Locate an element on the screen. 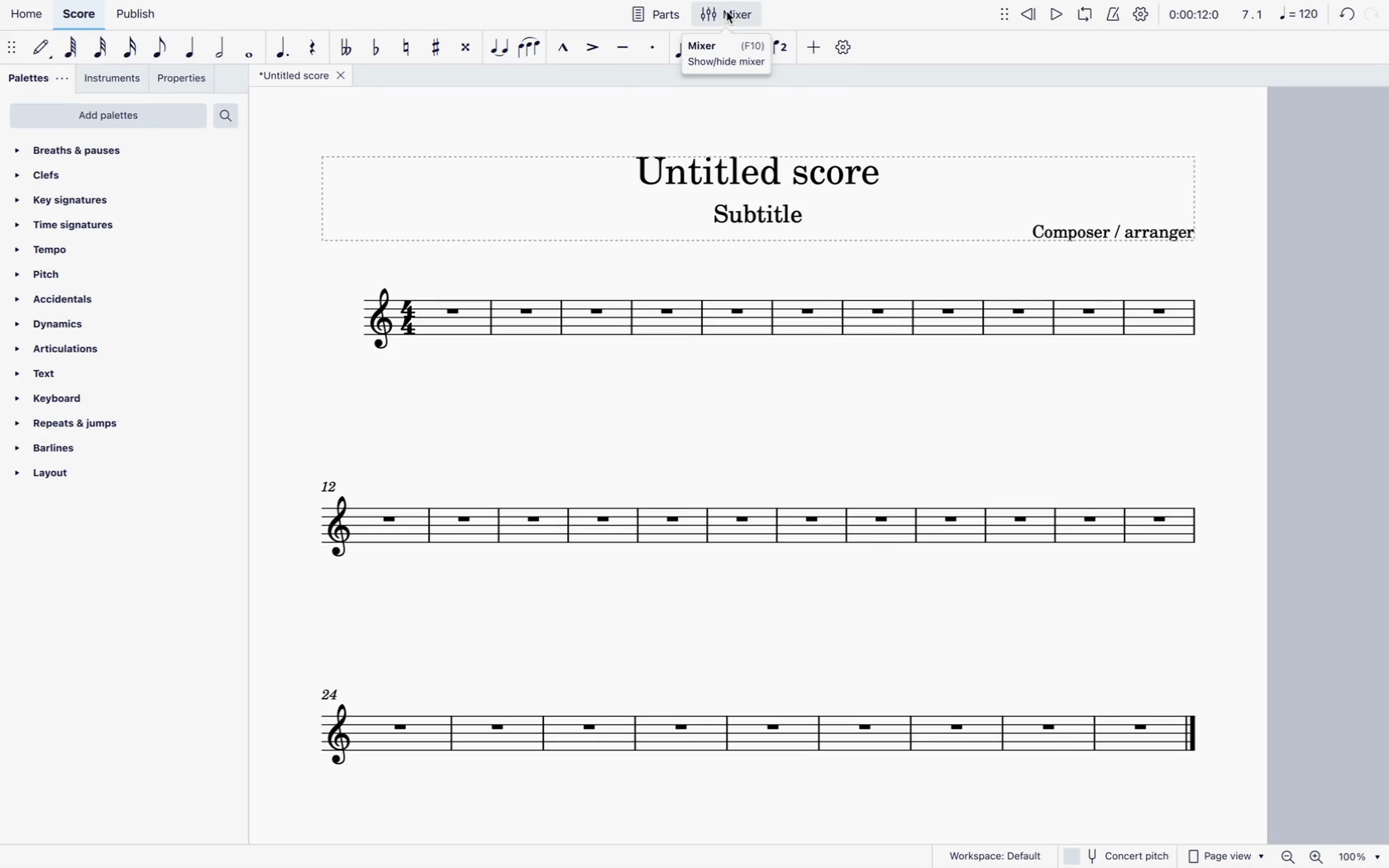 Image resolution: width=1389 pixels, height=868 pixels. toggle sharp is located at coordinates (438, 50).